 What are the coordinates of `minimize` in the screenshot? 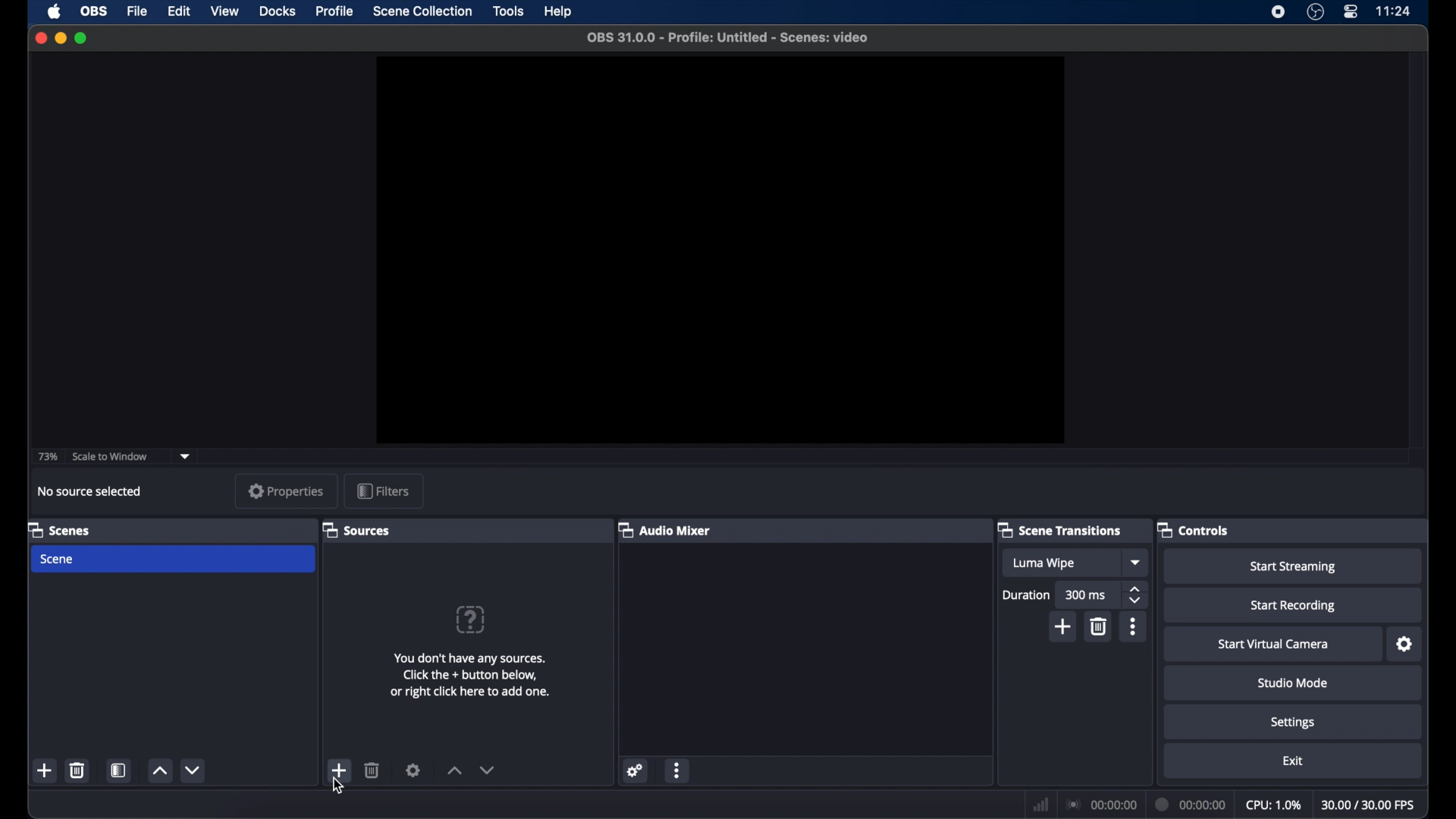 It's located at (60, 38).